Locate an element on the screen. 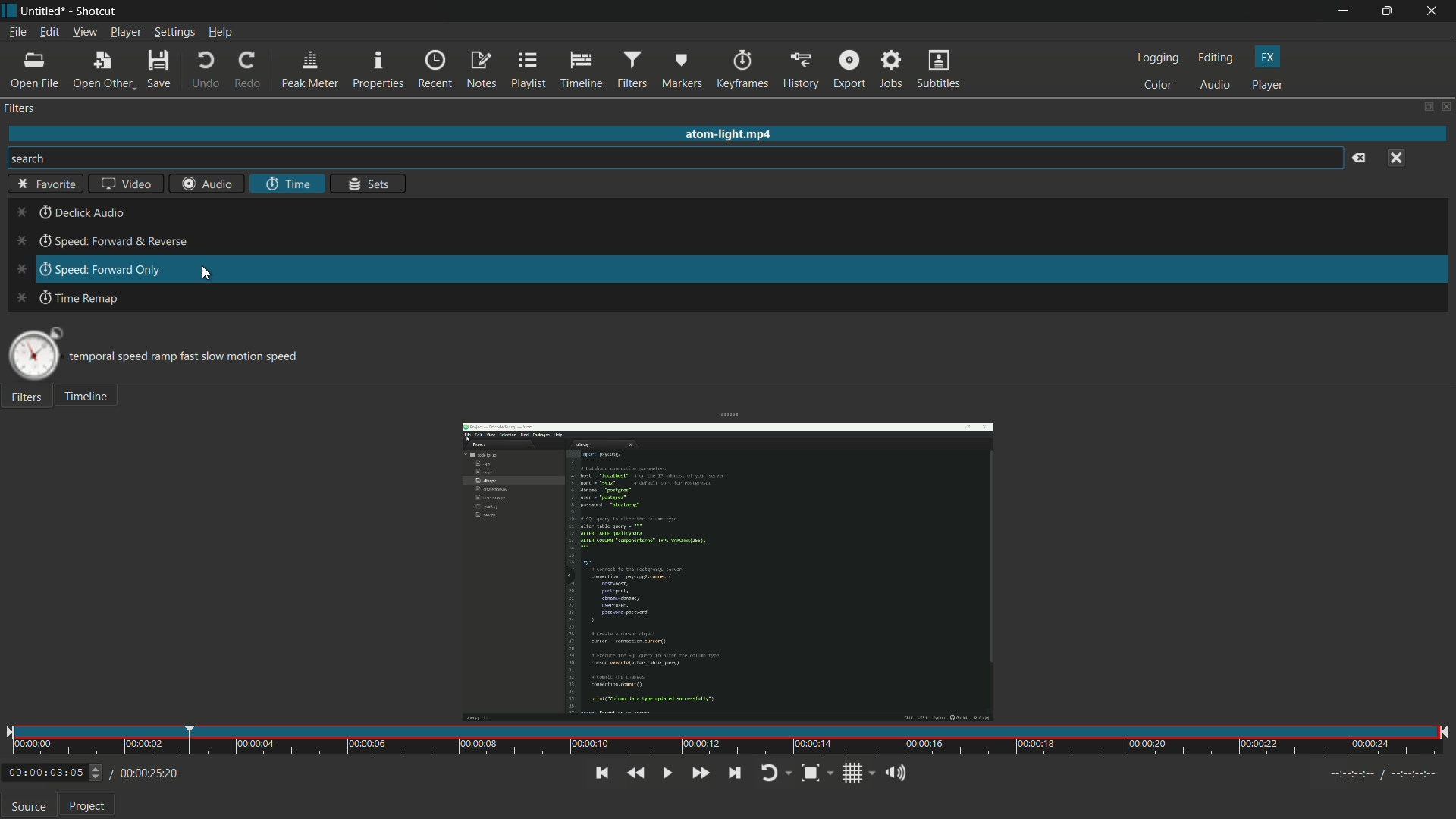 This screenshot has width=1456, height=819. export is located at coordinates (849, 71).